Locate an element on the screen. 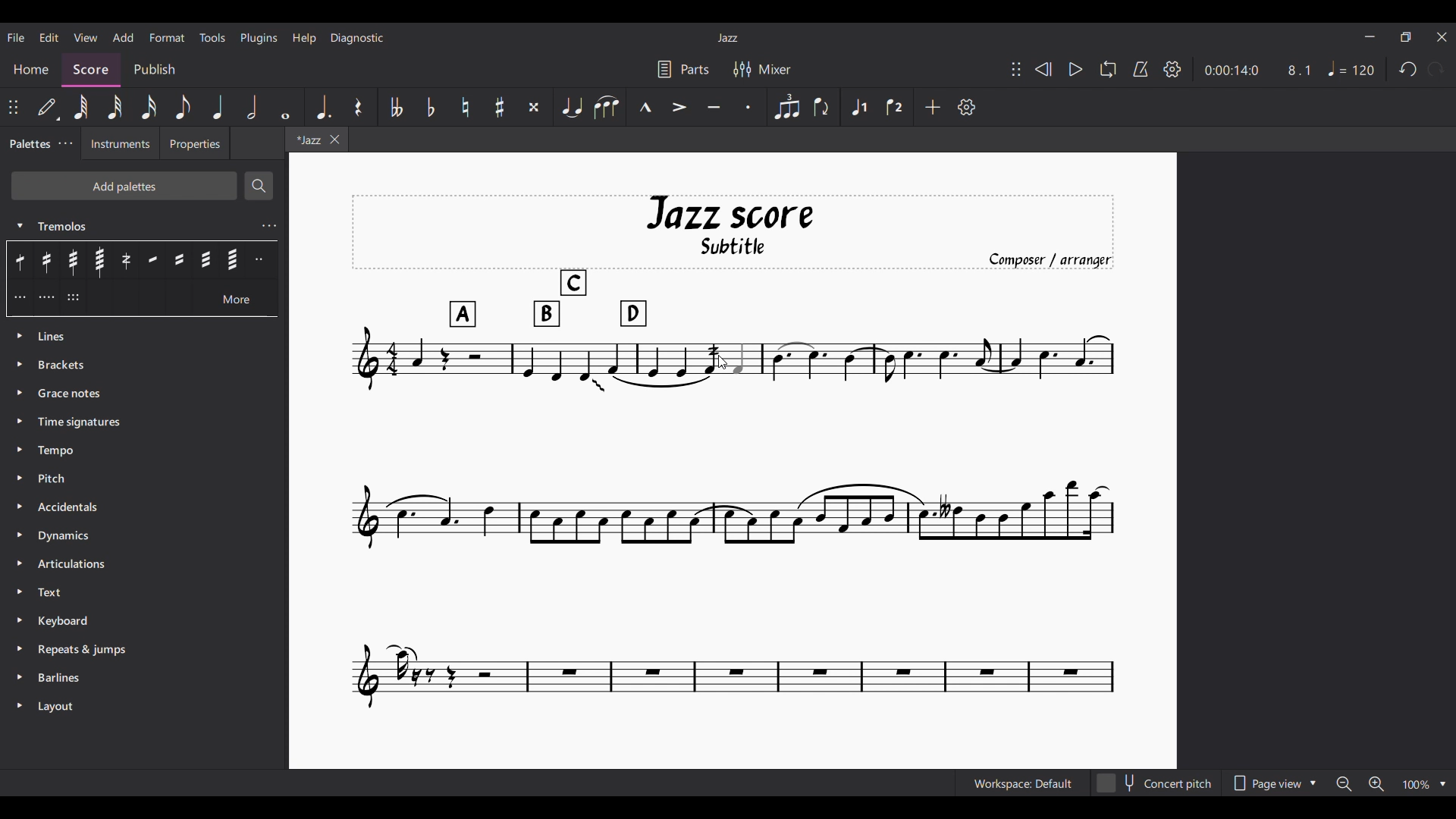 The height and width of the screenshot is (819, 1456). Tuplet is located at coordinates (787, 106).